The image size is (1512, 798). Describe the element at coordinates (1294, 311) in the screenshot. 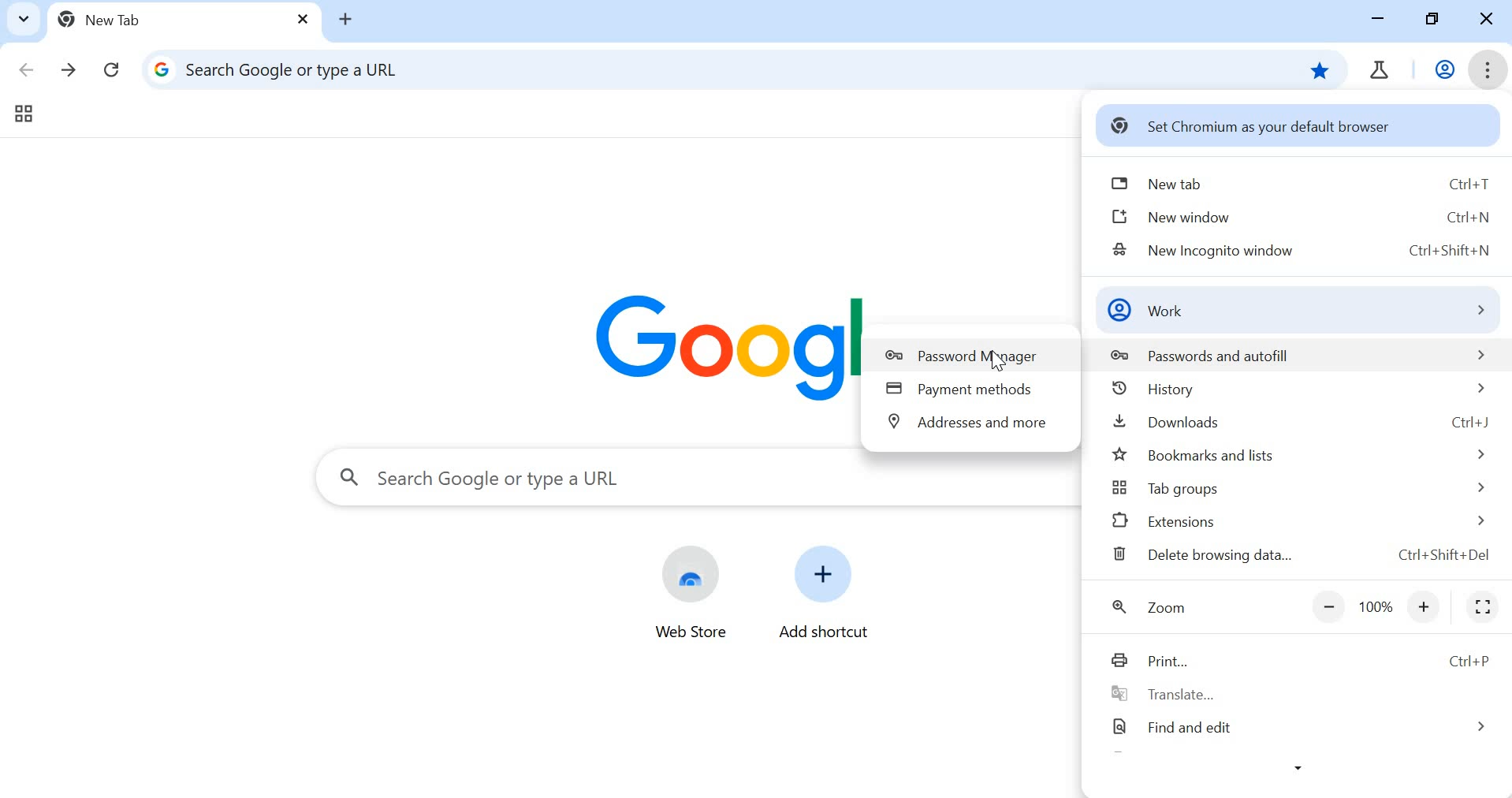

I see `work` at that location.